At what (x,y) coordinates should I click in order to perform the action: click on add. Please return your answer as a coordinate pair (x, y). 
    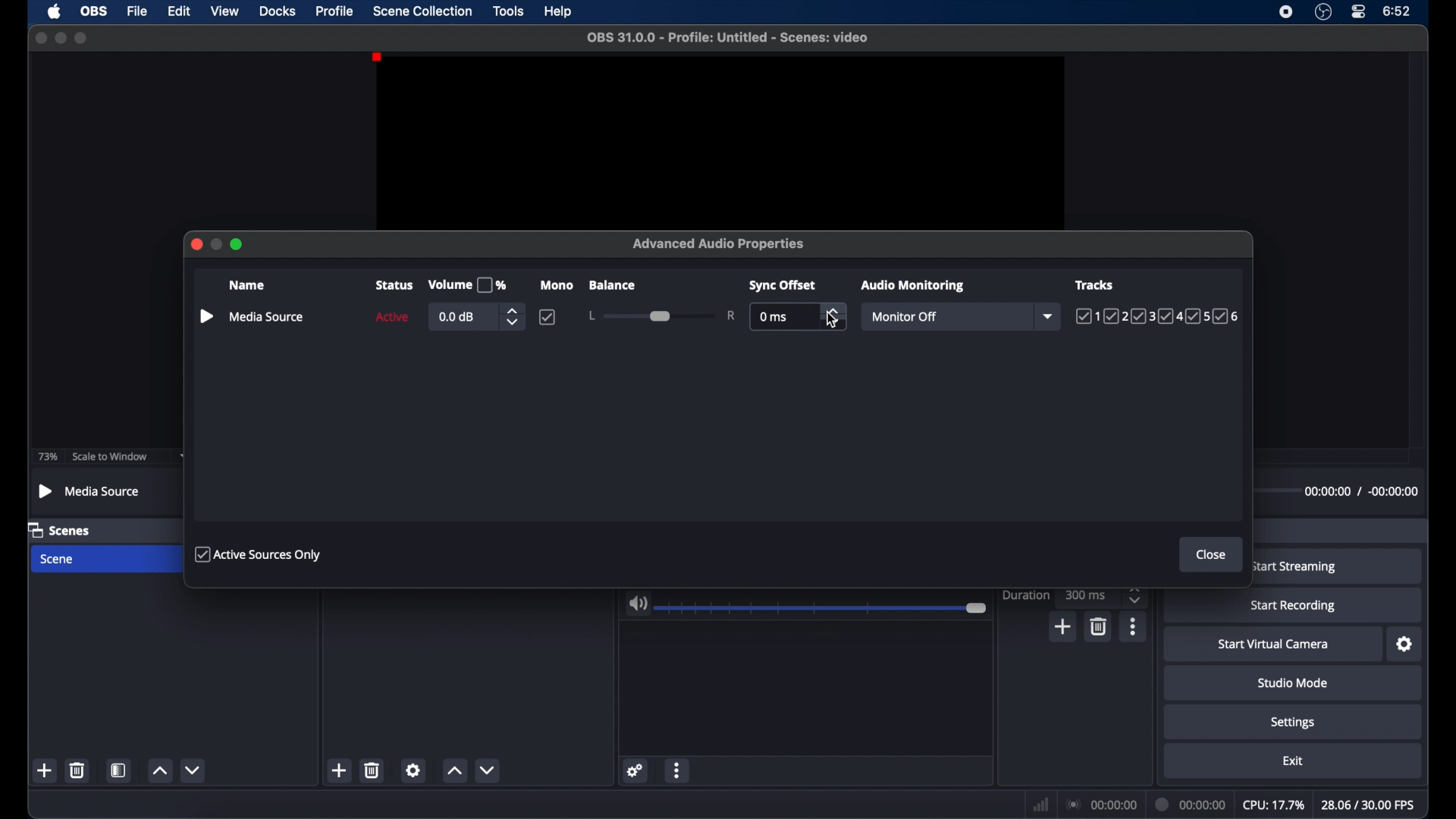
    Looking at the image, I should click on (45, 770).